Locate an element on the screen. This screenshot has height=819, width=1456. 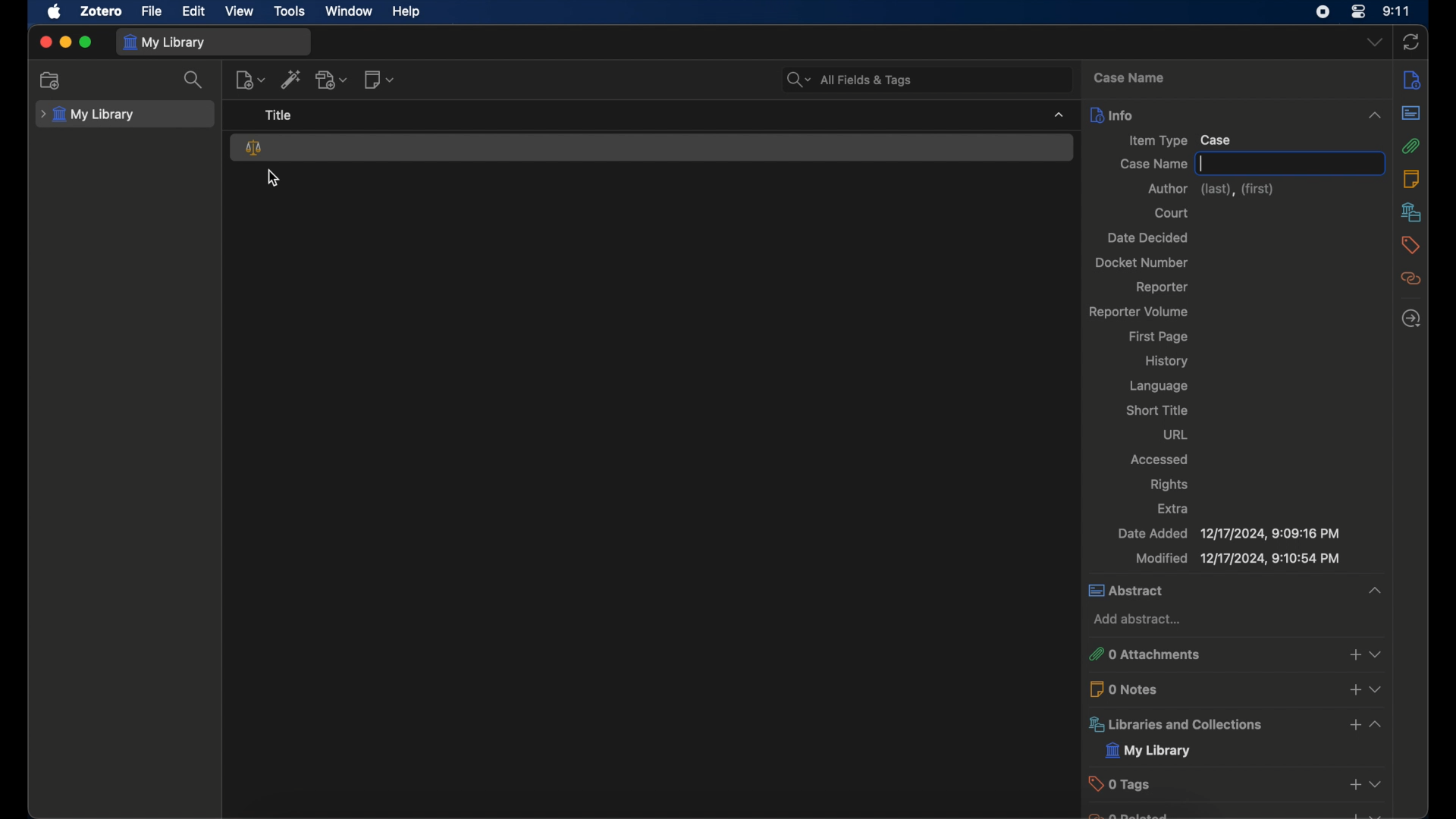
case is located at coordinates (255, 147).